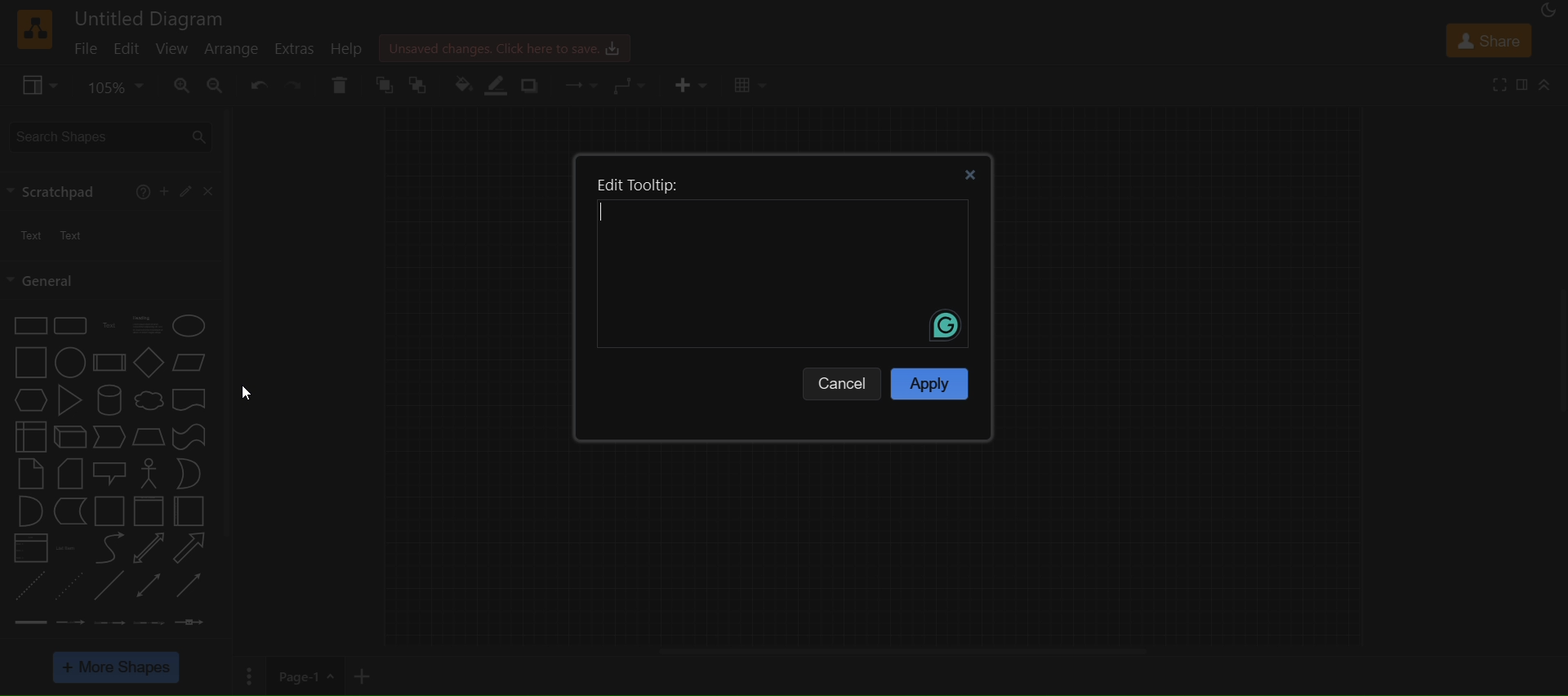 The height and width of the screenshot is (696, 1568). Describe the element at coordinates (190, 365) in the screenshot. I see `parallelogram` at that location.